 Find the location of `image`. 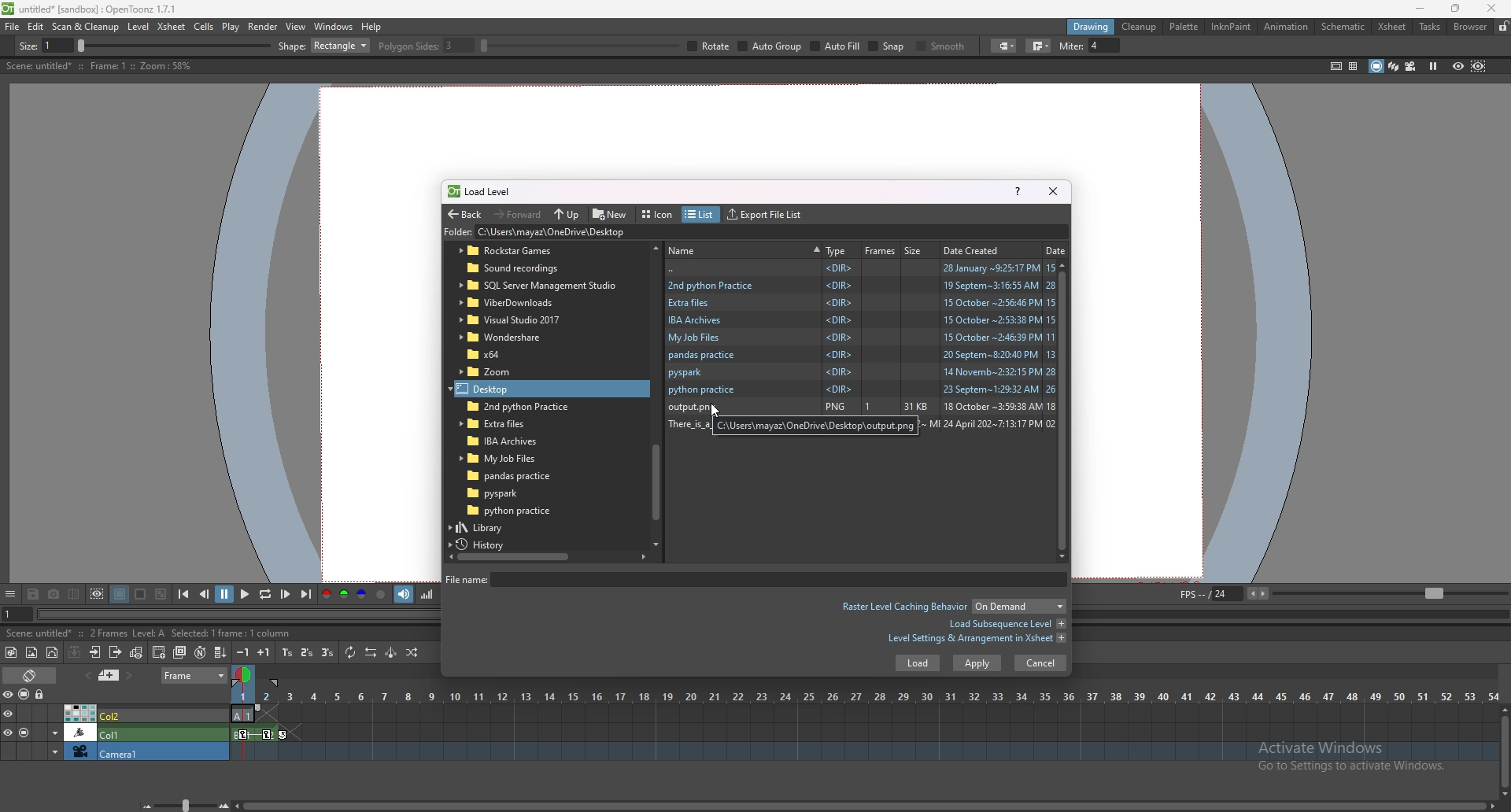

image is located at coordinates (895, 408).